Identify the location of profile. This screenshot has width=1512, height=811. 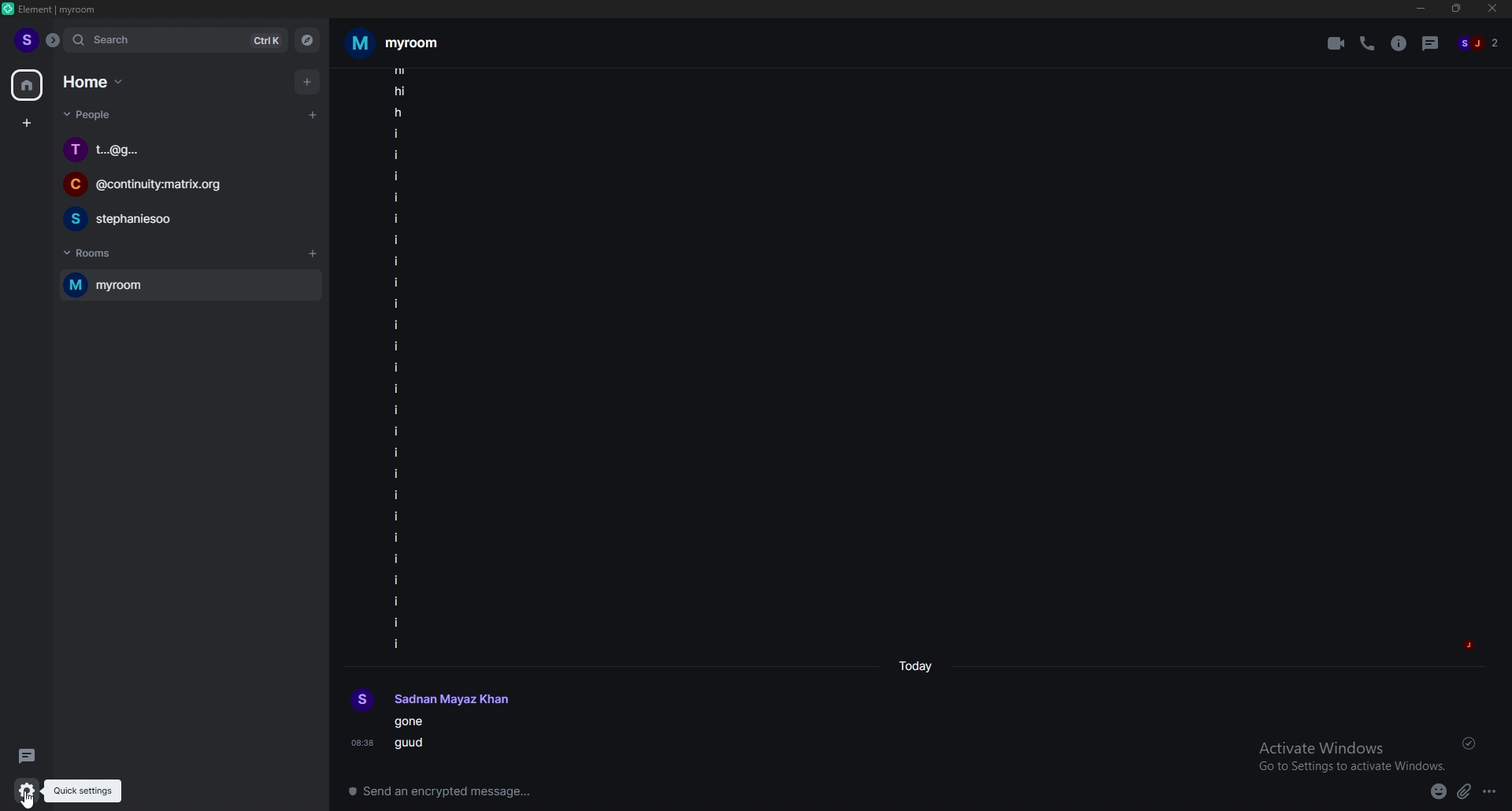
(25, 39).